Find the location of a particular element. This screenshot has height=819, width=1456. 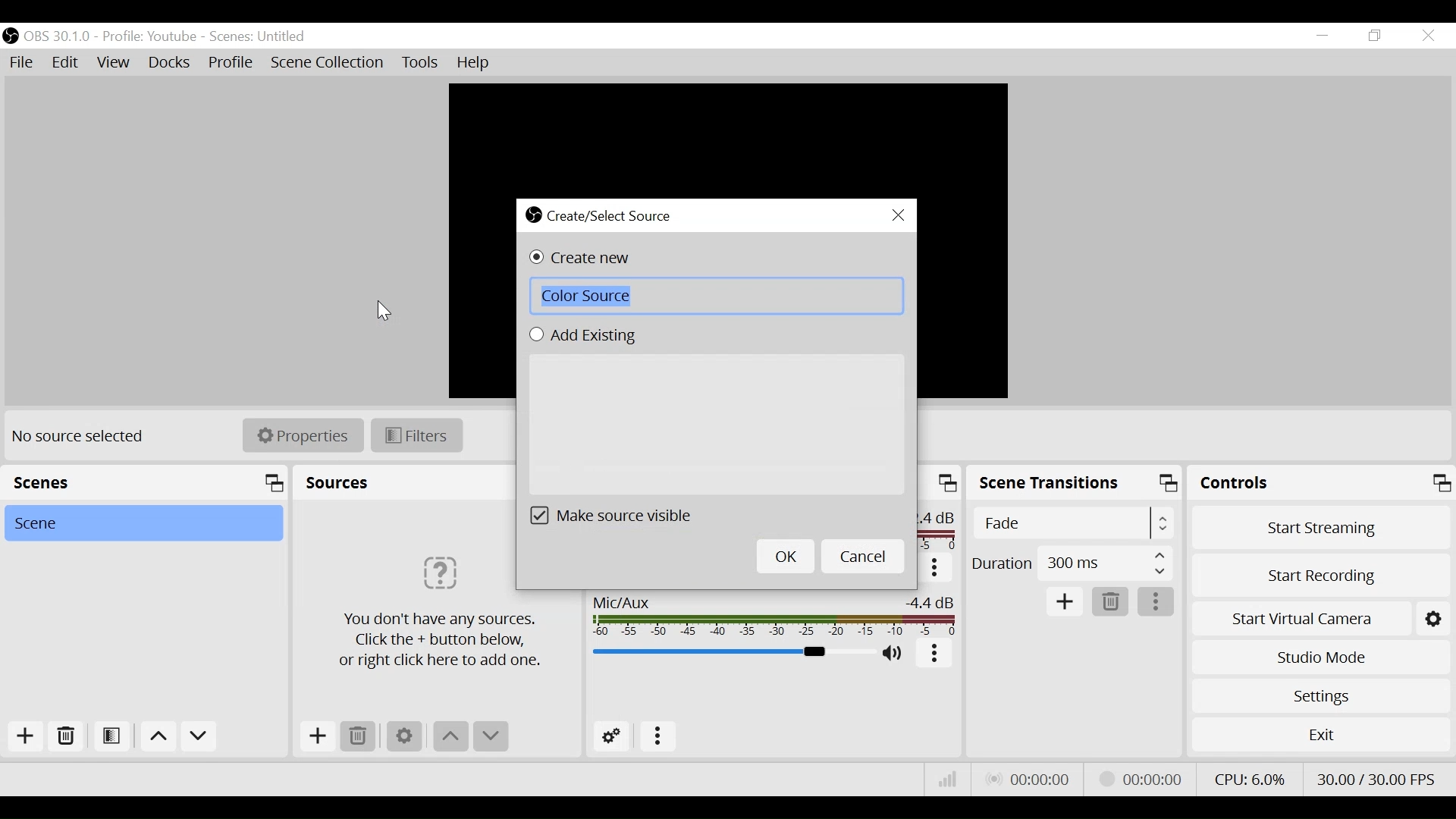

Cancel is located at coordinates (863, 556).